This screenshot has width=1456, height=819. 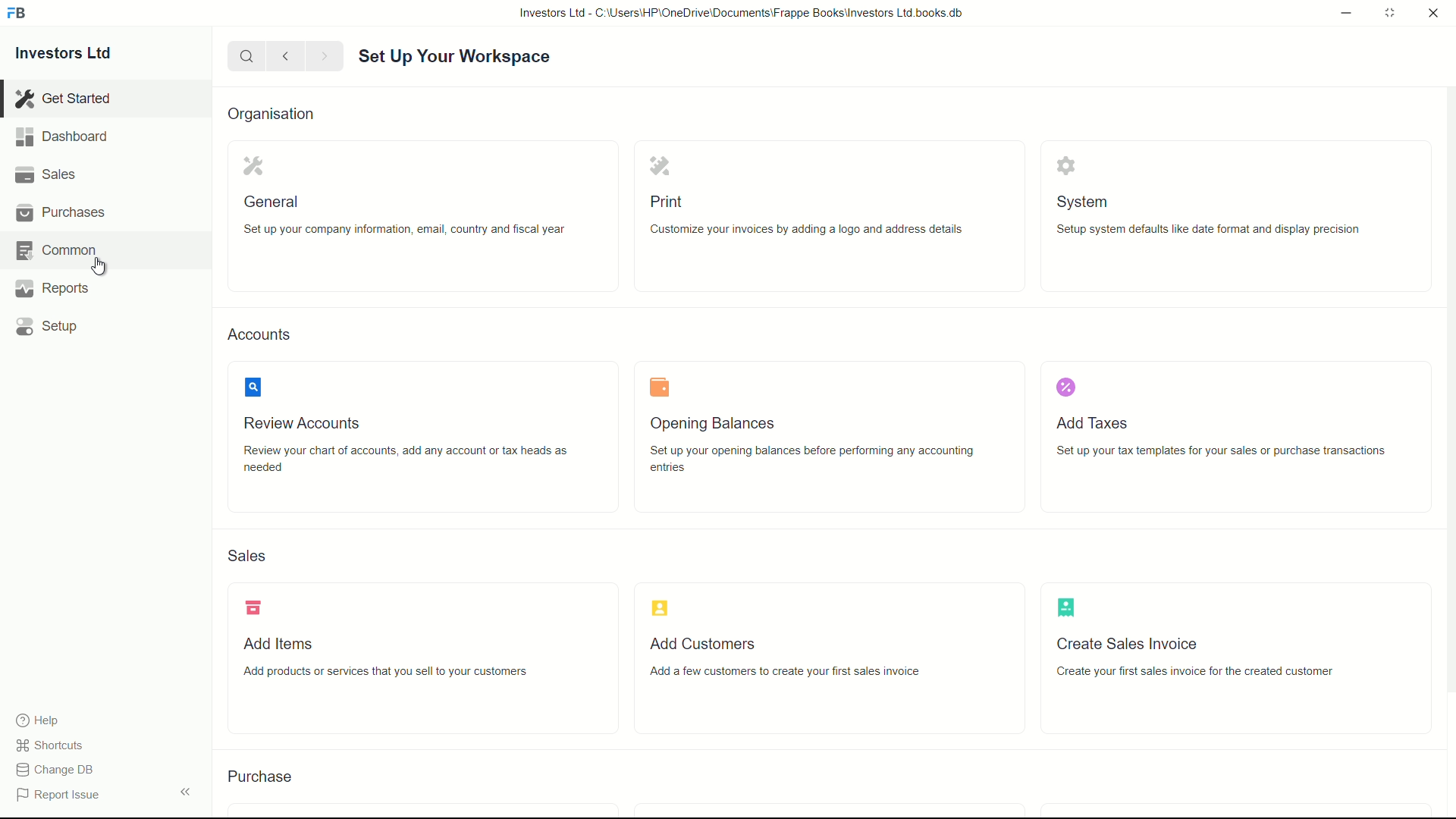 What do you see at coordinates (281, 644) in the screenshot?
I see `Add Items` at bounding box center [281, 644].